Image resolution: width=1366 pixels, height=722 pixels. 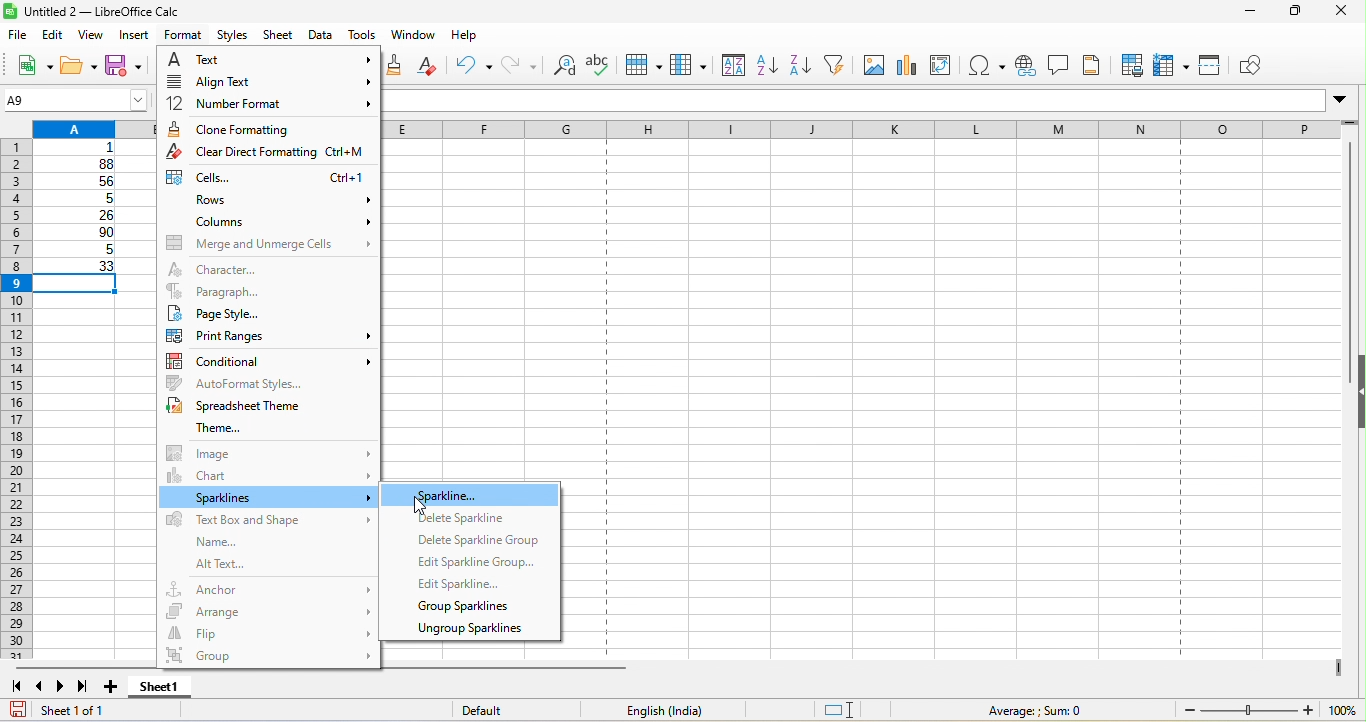 What do you see at coordinates (1173, 65) in the screenshot?
I see `freeze rows and column` at bounding box center [1173, 65].